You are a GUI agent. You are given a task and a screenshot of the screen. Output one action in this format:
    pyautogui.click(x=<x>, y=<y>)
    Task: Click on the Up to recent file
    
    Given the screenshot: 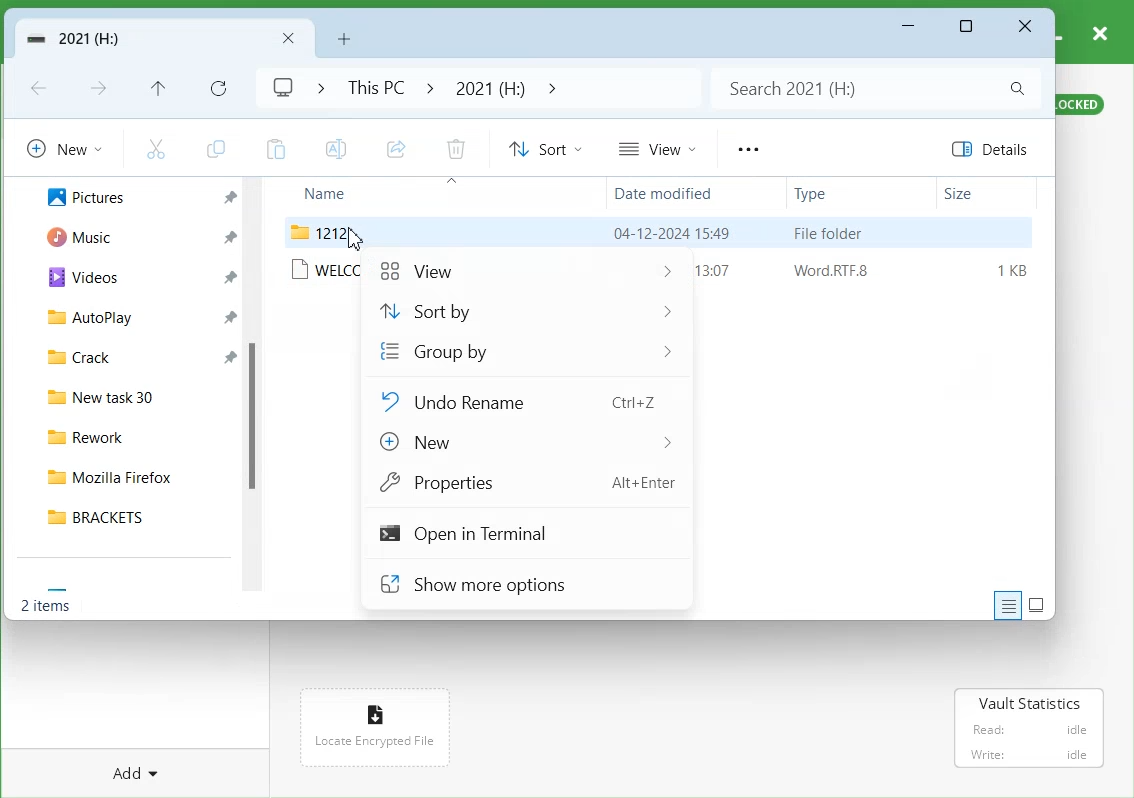 What is the action you would take?
    pyautogui.click(x=157, y=88)
    